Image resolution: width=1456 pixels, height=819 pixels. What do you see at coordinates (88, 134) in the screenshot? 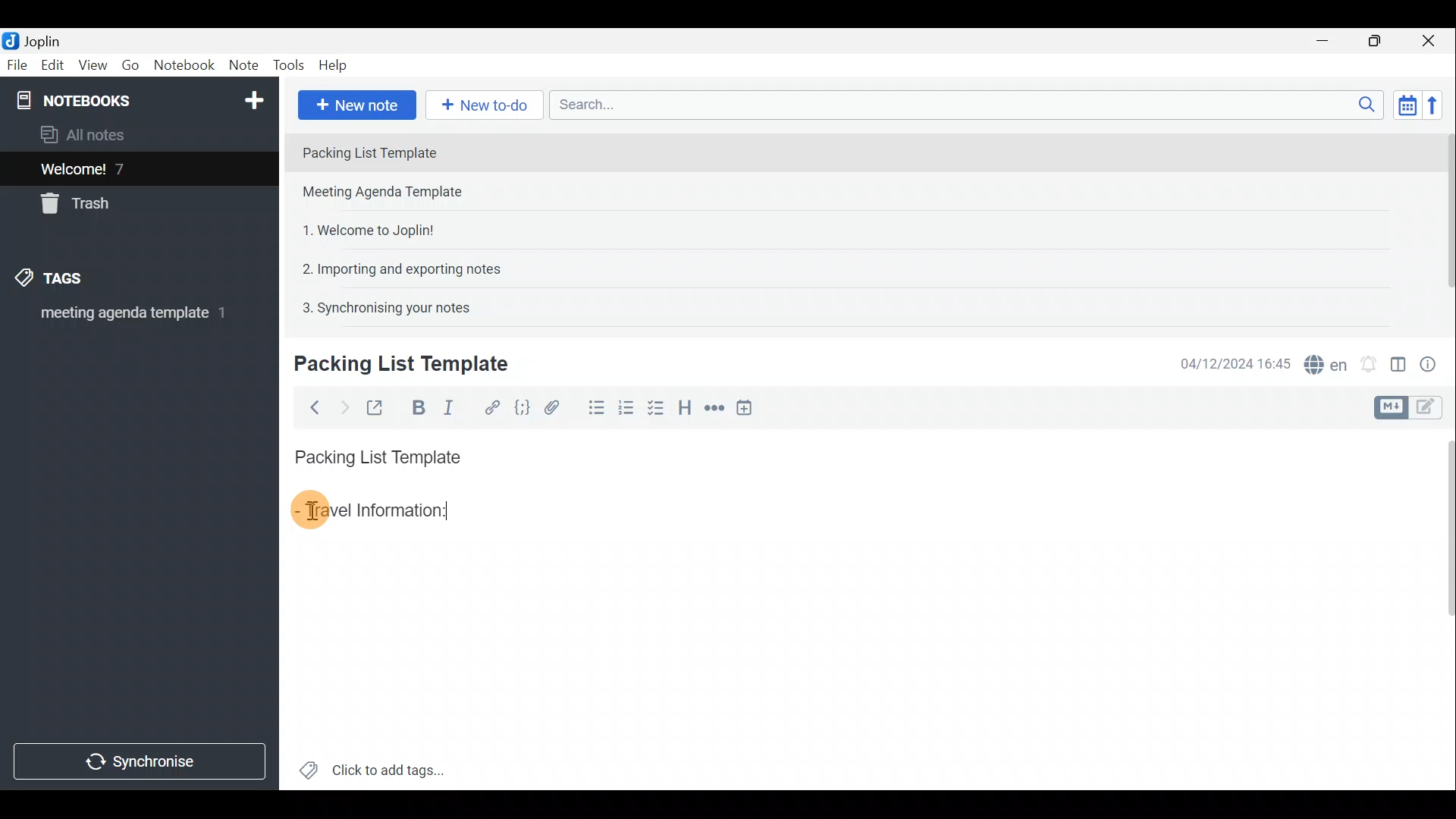
I see `All notes` at bounding box center [88, 134].